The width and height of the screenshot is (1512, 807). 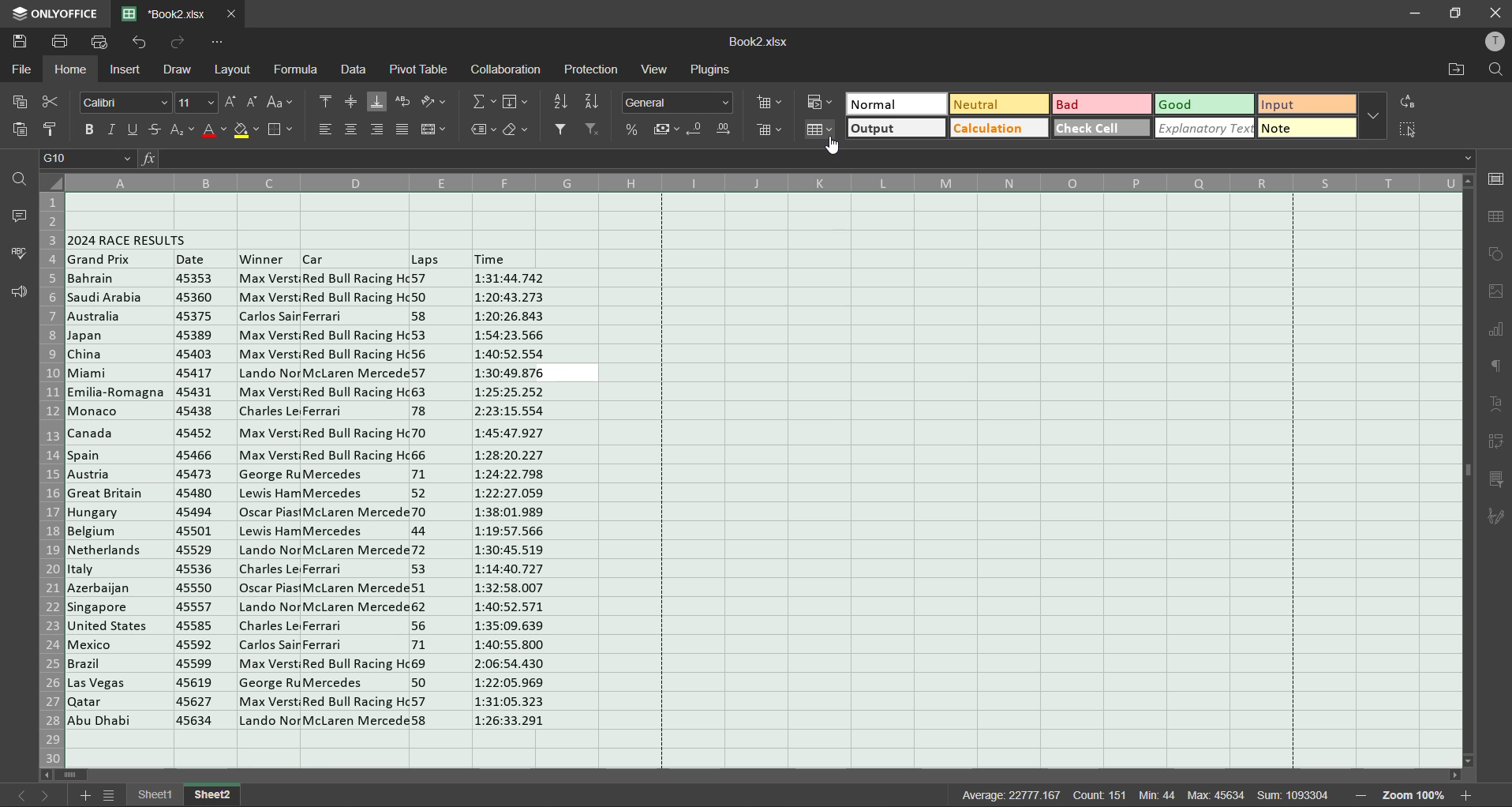 What do you see at coordinates (896, 129) in the screenshot?
I see `output` at bounding box center [896, 129].